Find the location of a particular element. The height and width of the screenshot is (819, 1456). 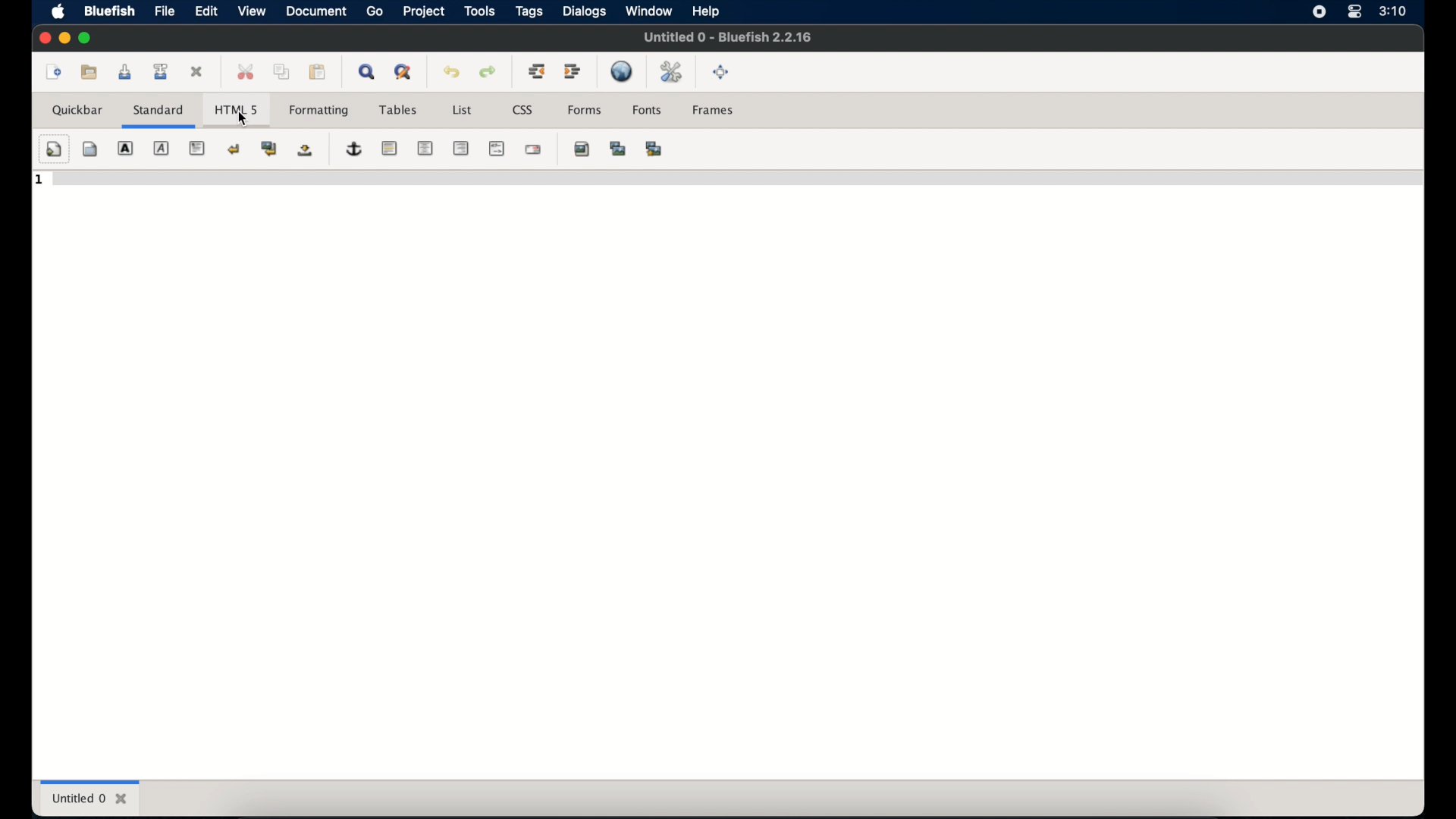

1 is located at coordinates (40, 180).